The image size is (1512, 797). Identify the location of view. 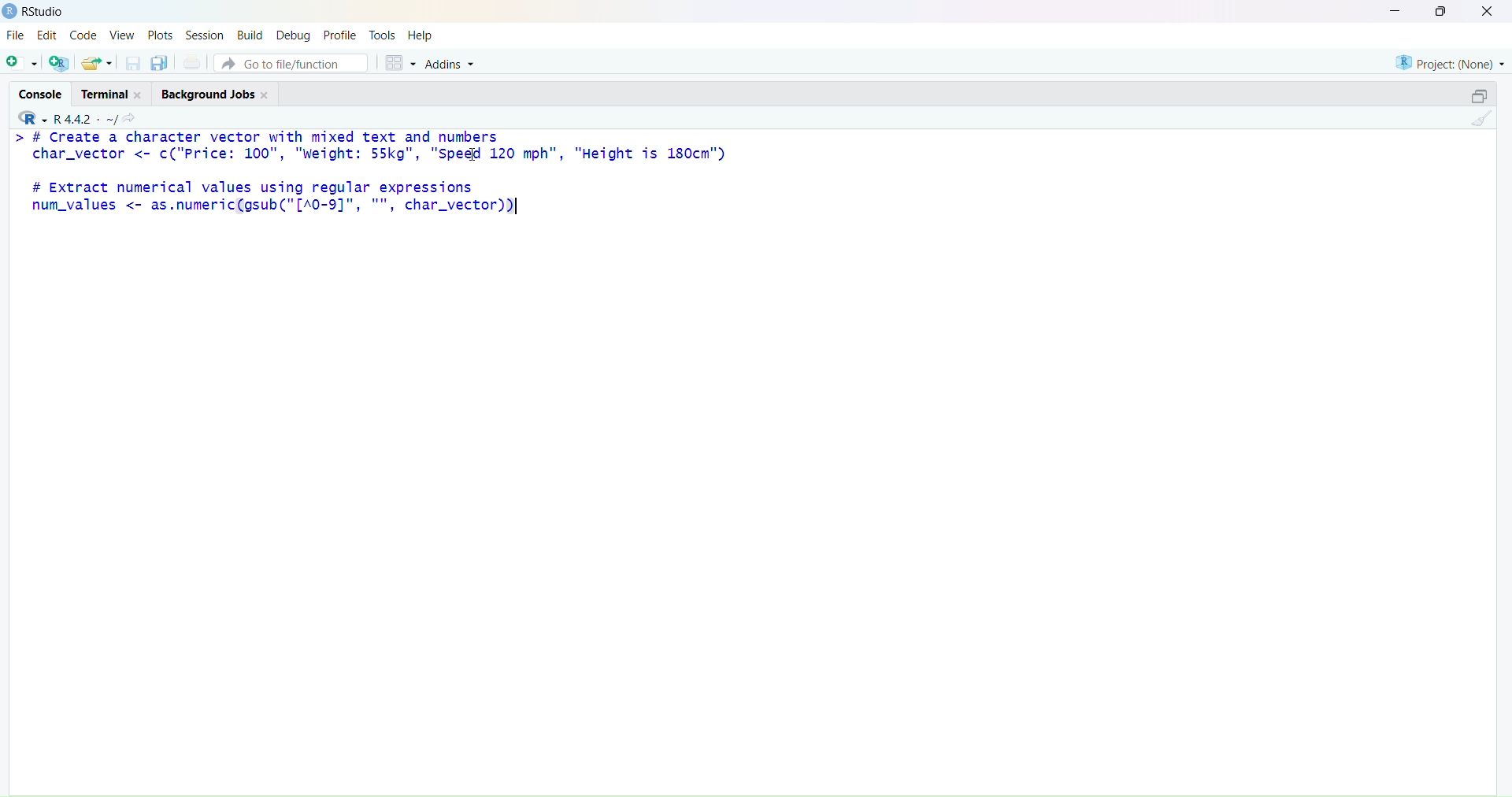
(122, 35).